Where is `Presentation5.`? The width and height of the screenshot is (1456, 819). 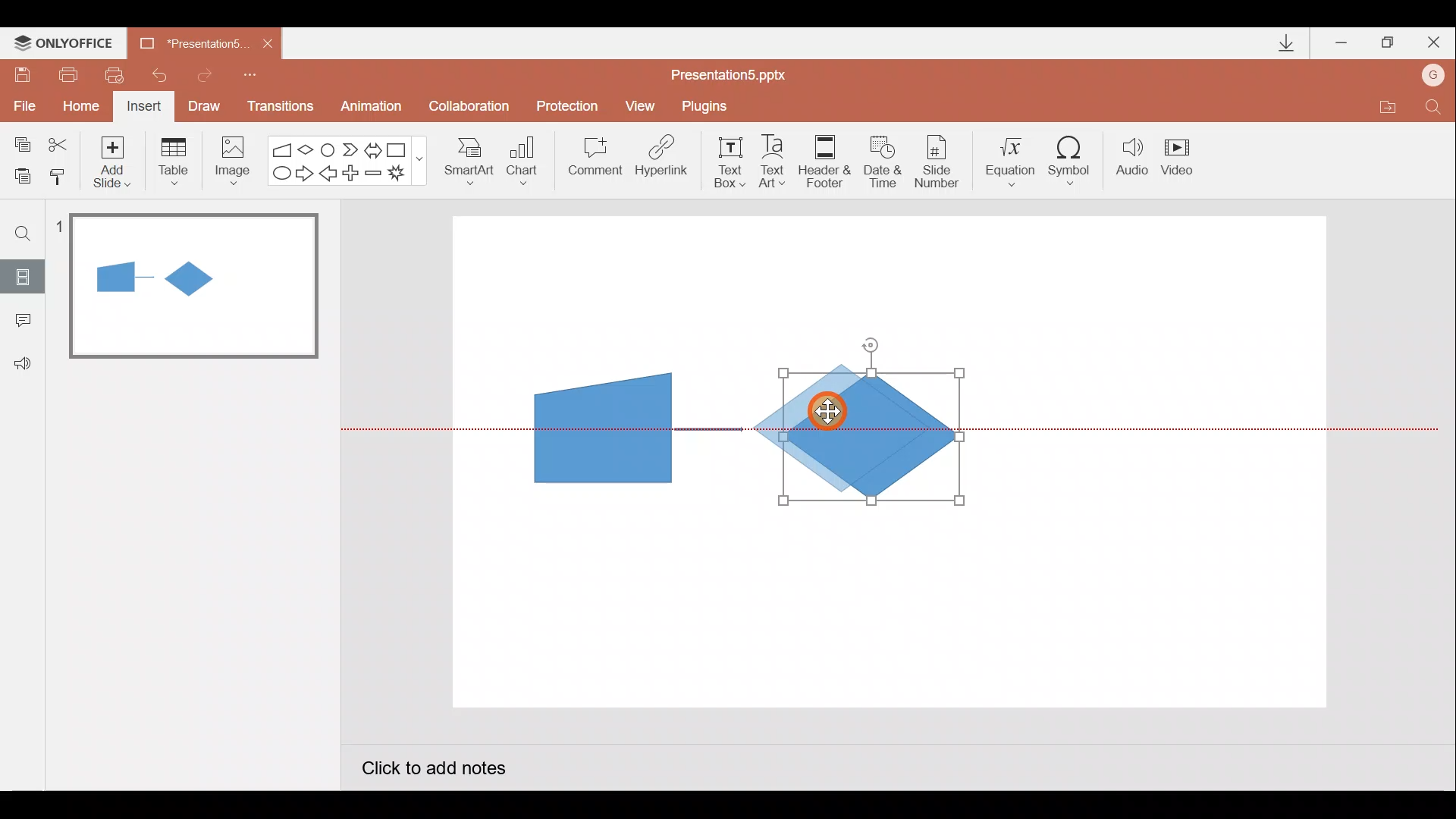 Presentation5. is located at coordinates (187, 41).